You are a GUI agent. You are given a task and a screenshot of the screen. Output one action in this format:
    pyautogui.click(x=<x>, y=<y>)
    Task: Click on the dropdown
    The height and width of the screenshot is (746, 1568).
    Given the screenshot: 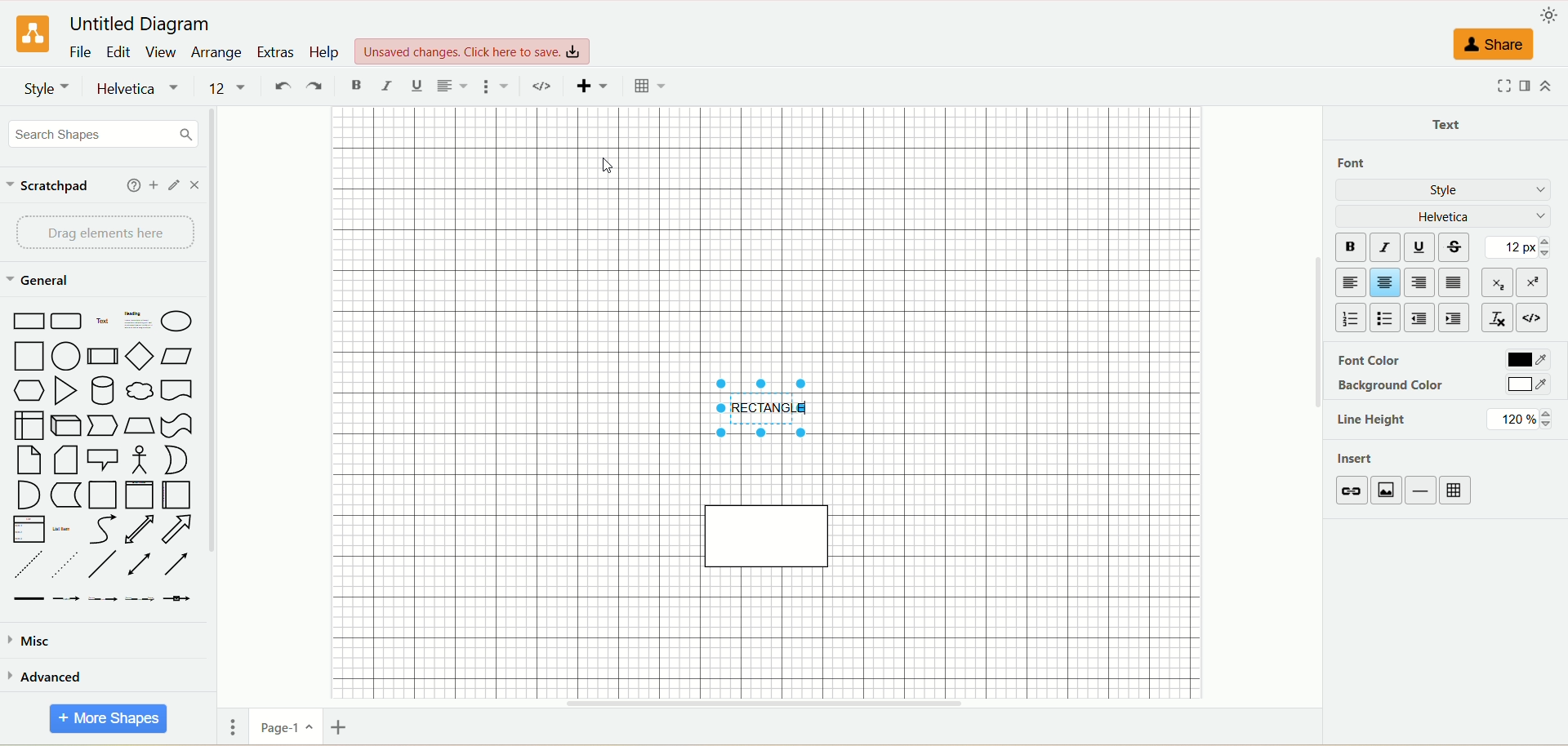 What is the action you would take?
    pyautogui.click(x=501, y=87)
    